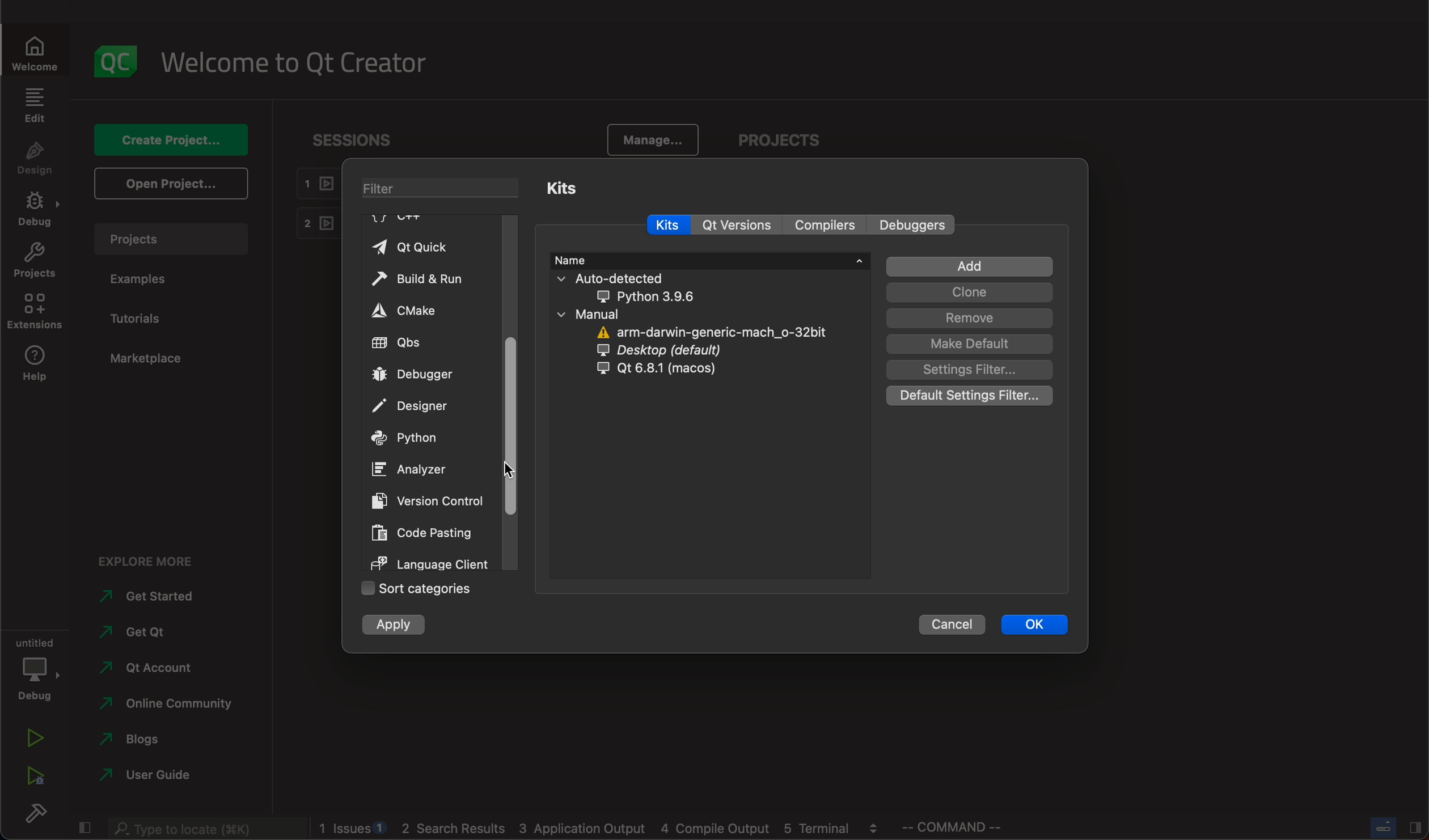 The width and height of the screenshot is (1429, 840). Describe the element at coordinates (667, 225) in the screenshot. I see `kits` at that location.